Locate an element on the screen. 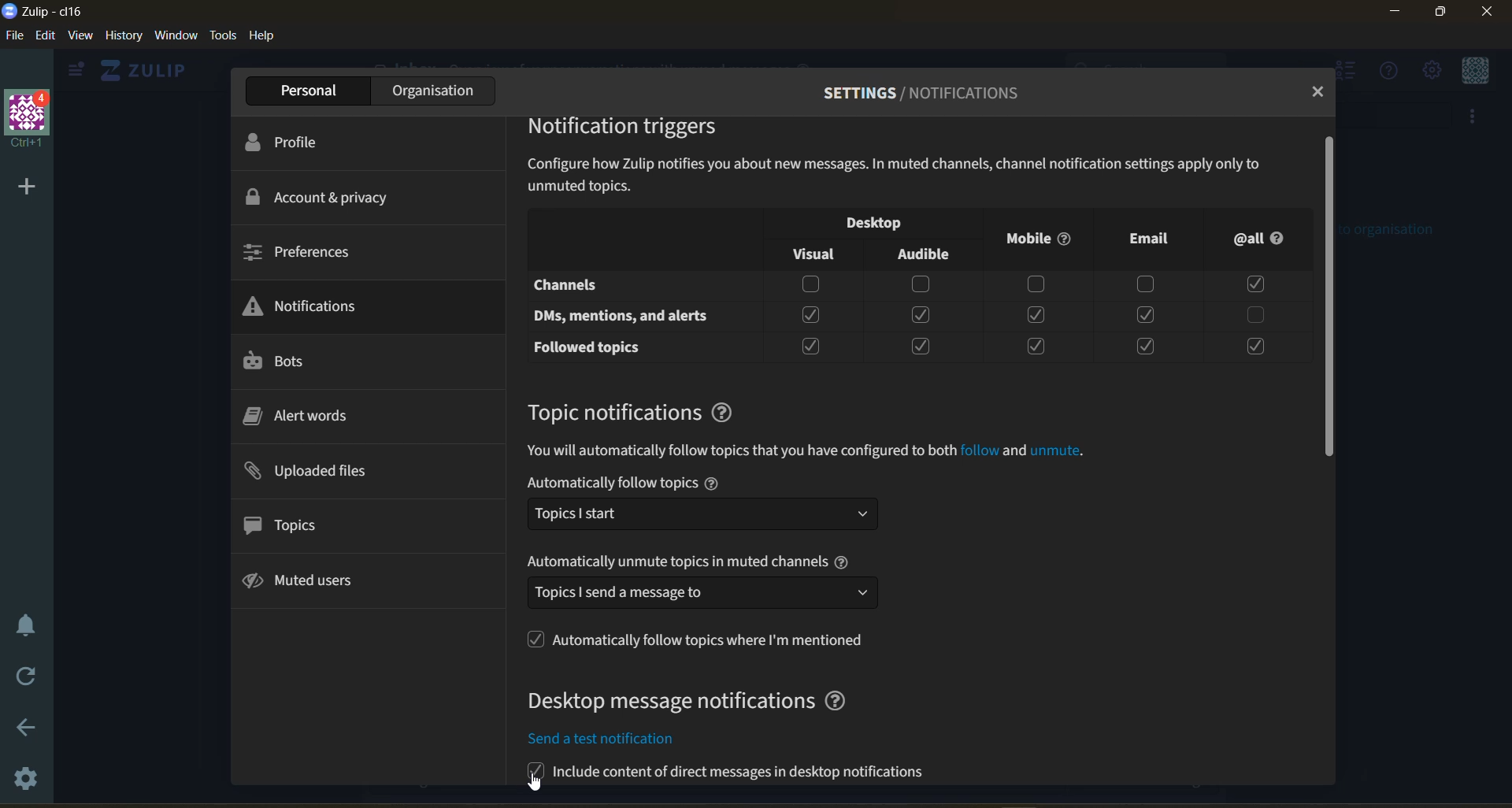  window is located at coordinates (180, 36).